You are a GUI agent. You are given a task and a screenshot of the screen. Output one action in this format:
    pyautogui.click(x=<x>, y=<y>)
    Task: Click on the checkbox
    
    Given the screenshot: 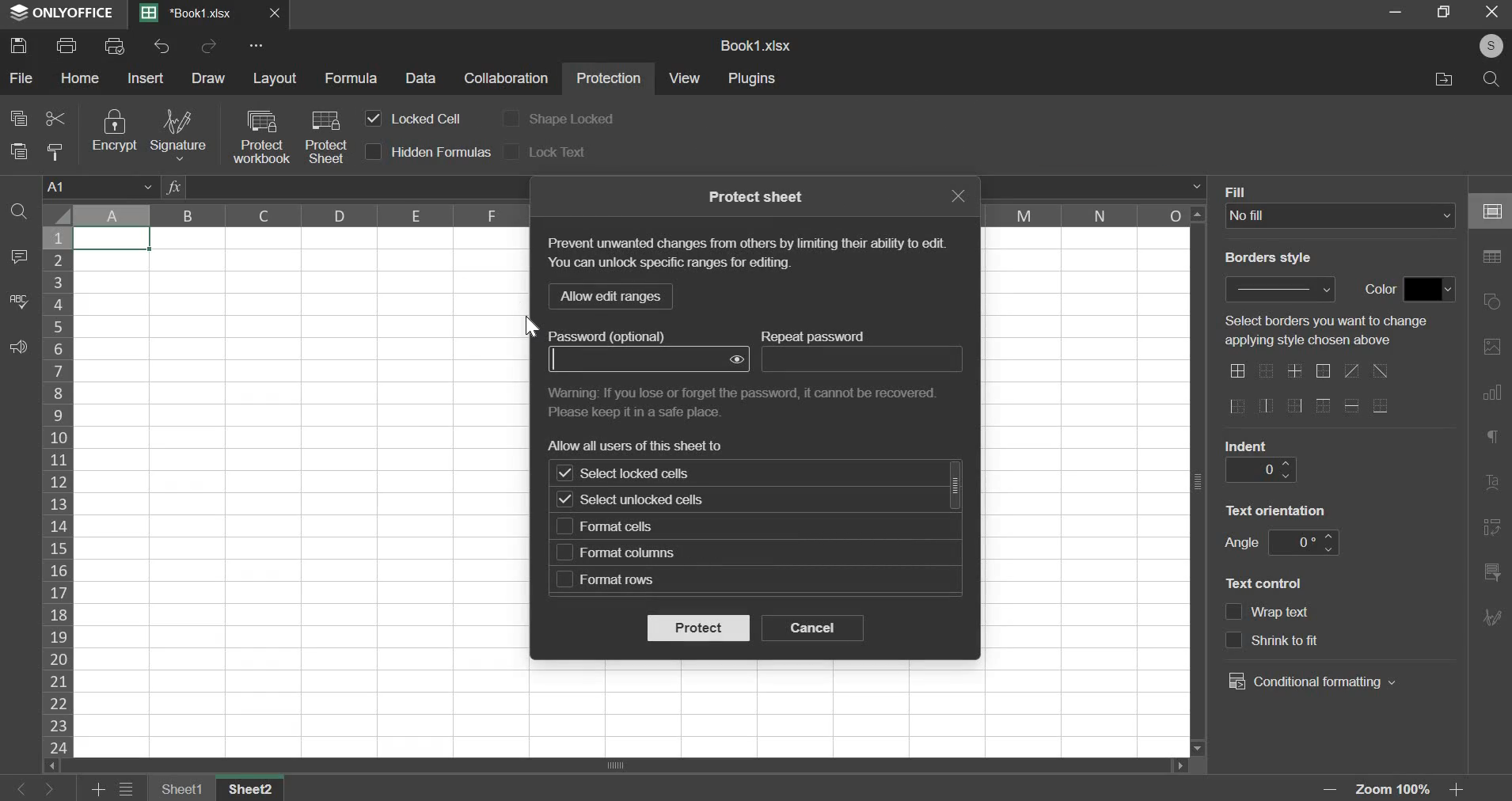 What is the action you would take?
    pyautogui.click(x=564, y=474)
    